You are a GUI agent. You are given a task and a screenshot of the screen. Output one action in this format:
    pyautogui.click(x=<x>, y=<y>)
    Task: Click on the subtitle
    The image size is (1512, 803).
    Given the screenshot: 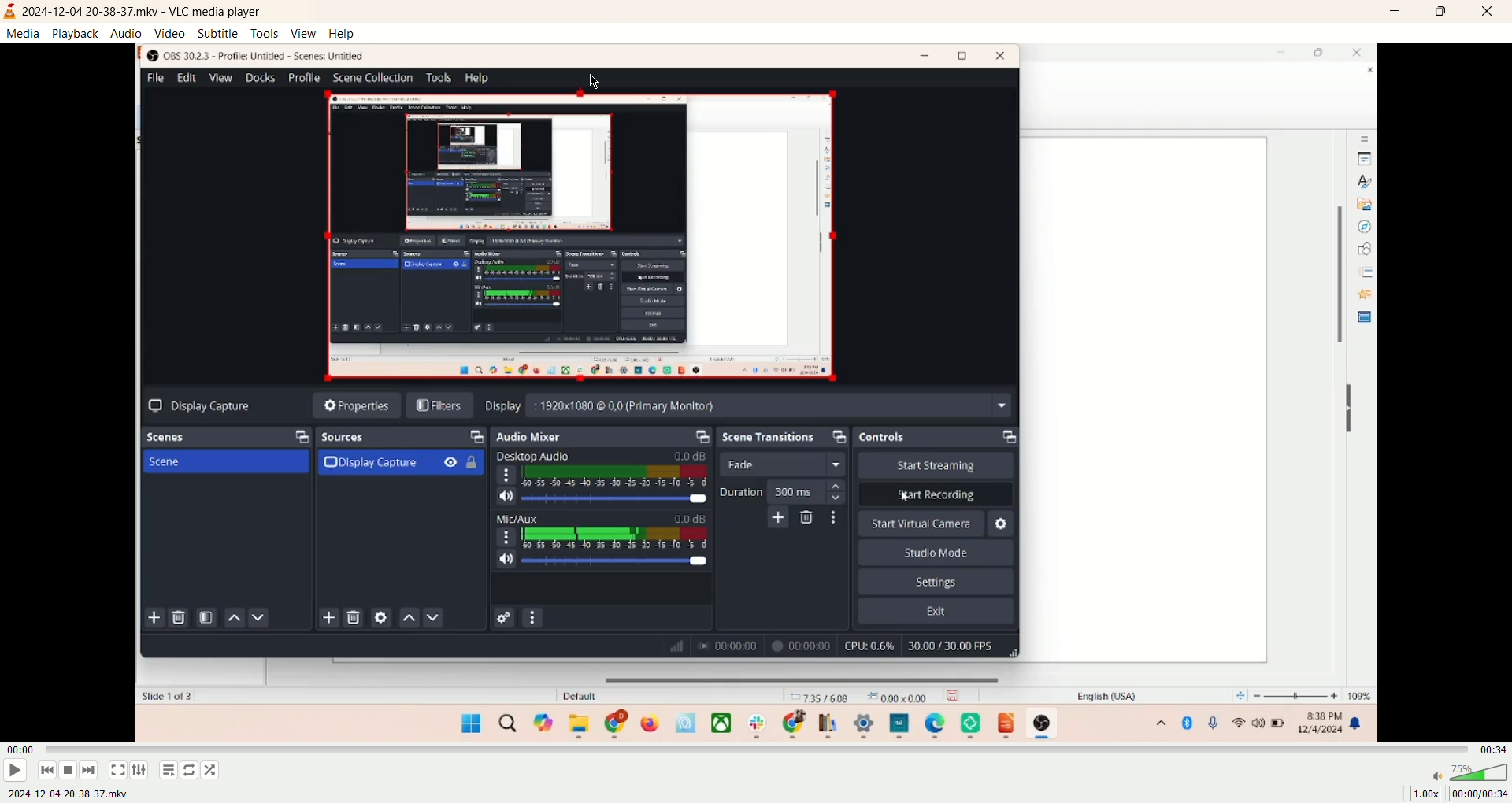 What is the action you would take?
    pyautogui.click(x=217, y=32)
    